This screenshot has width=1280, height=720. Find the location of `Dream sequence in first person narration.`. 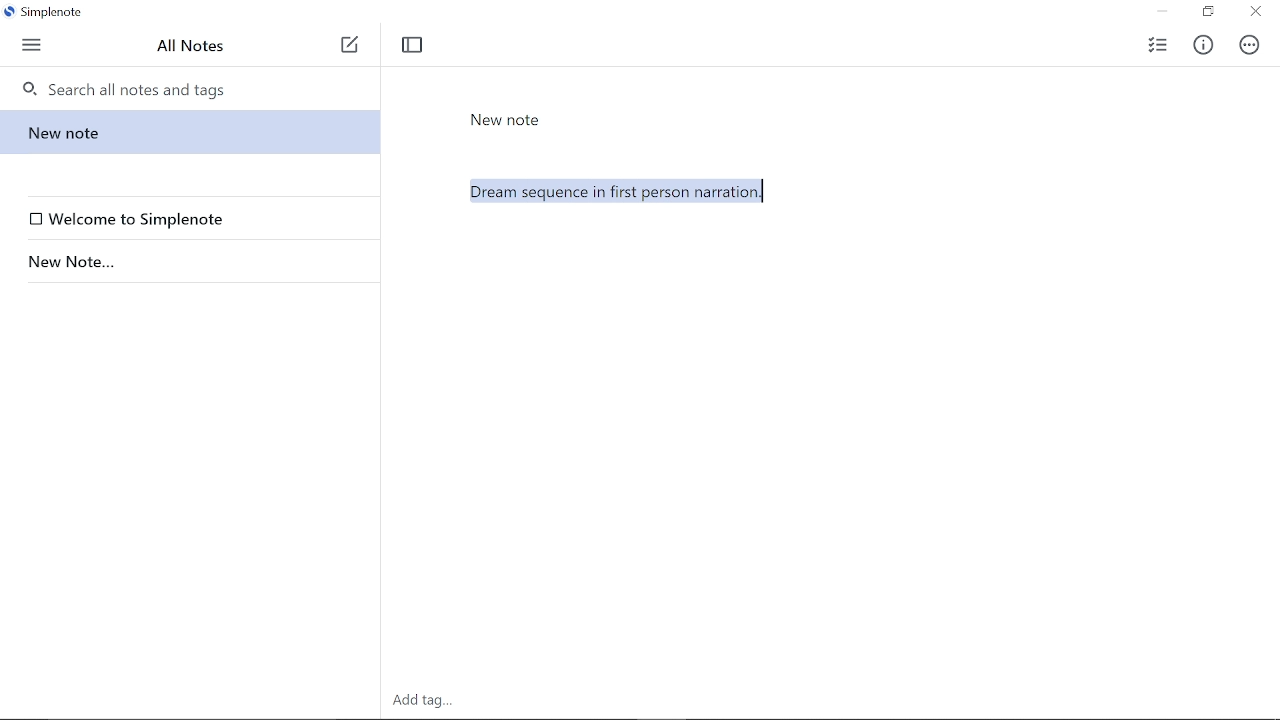

Dream sequence in first person narration. is located at coordinates (843, 327).